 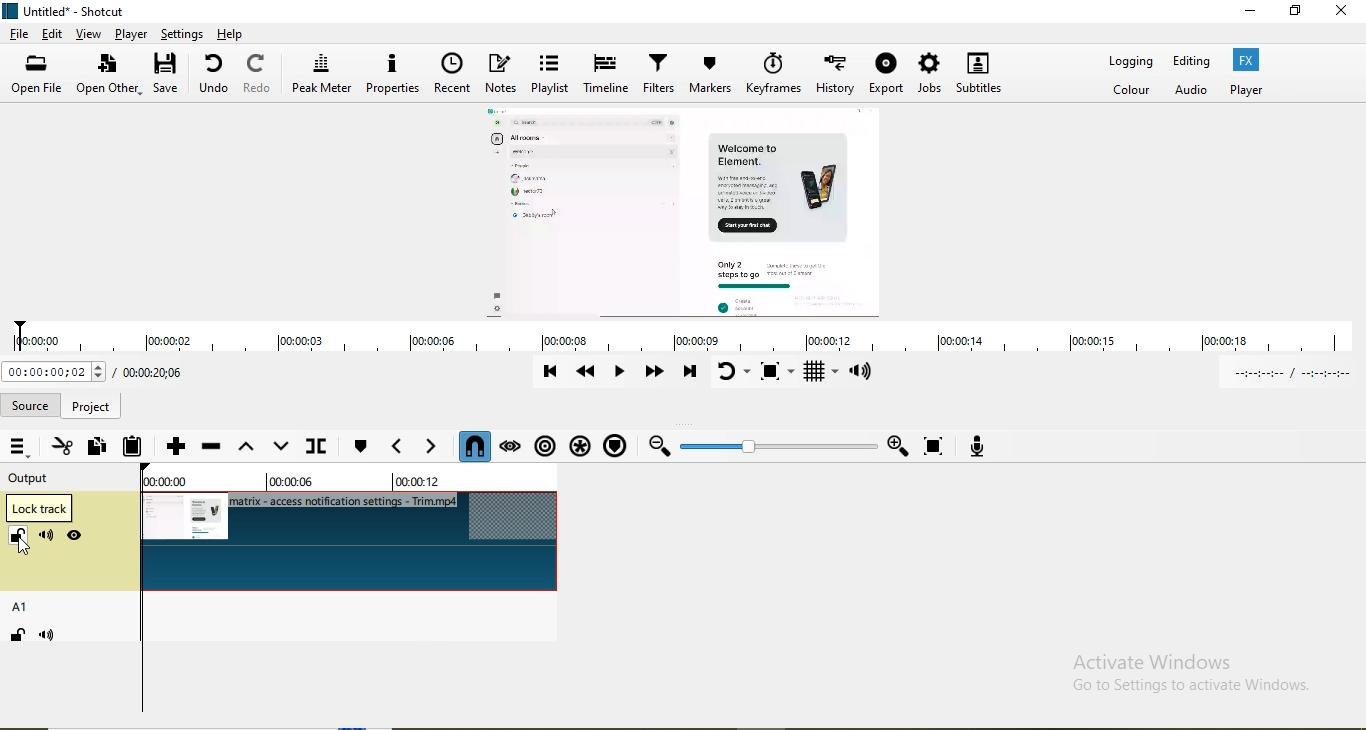 What do you see at coordinates (839, 74) in the screenshot?
I see `History` at bounding box center [839, 74].